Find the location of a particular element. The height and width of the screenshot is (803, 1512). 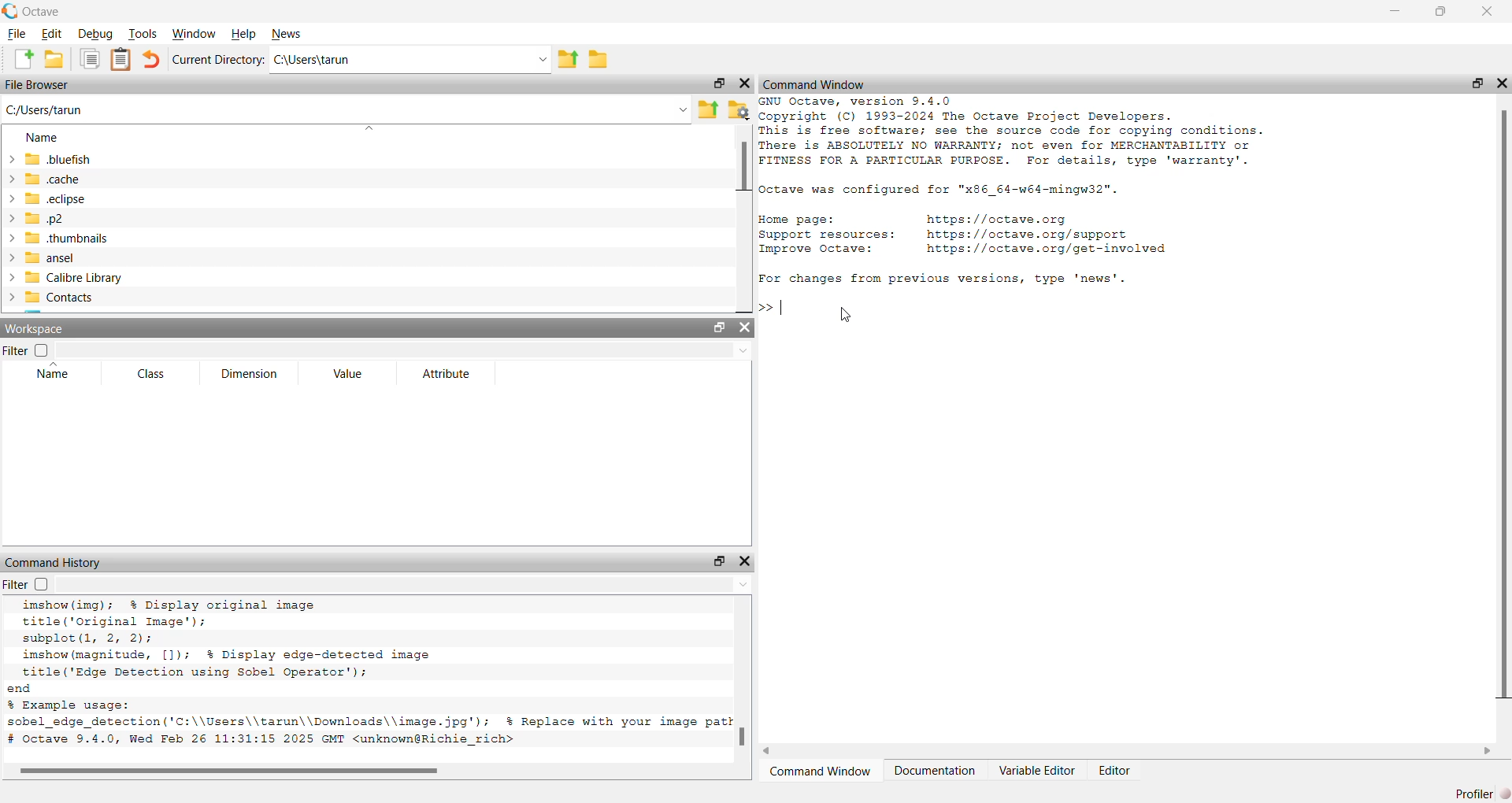

dropdown is located at coordinates (405, 584).